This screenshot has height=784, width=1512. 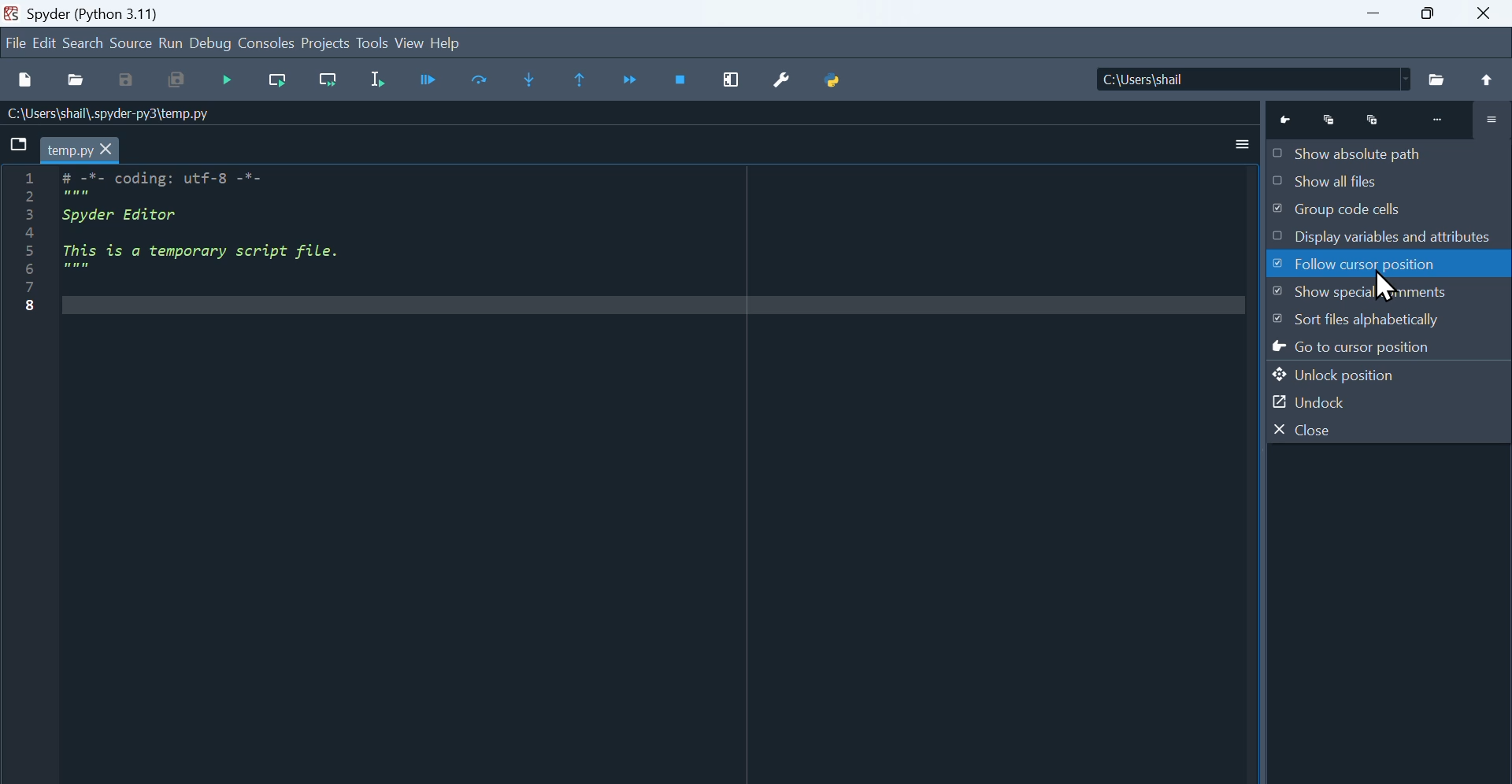 I want to click on , so click(x=226, y=83).